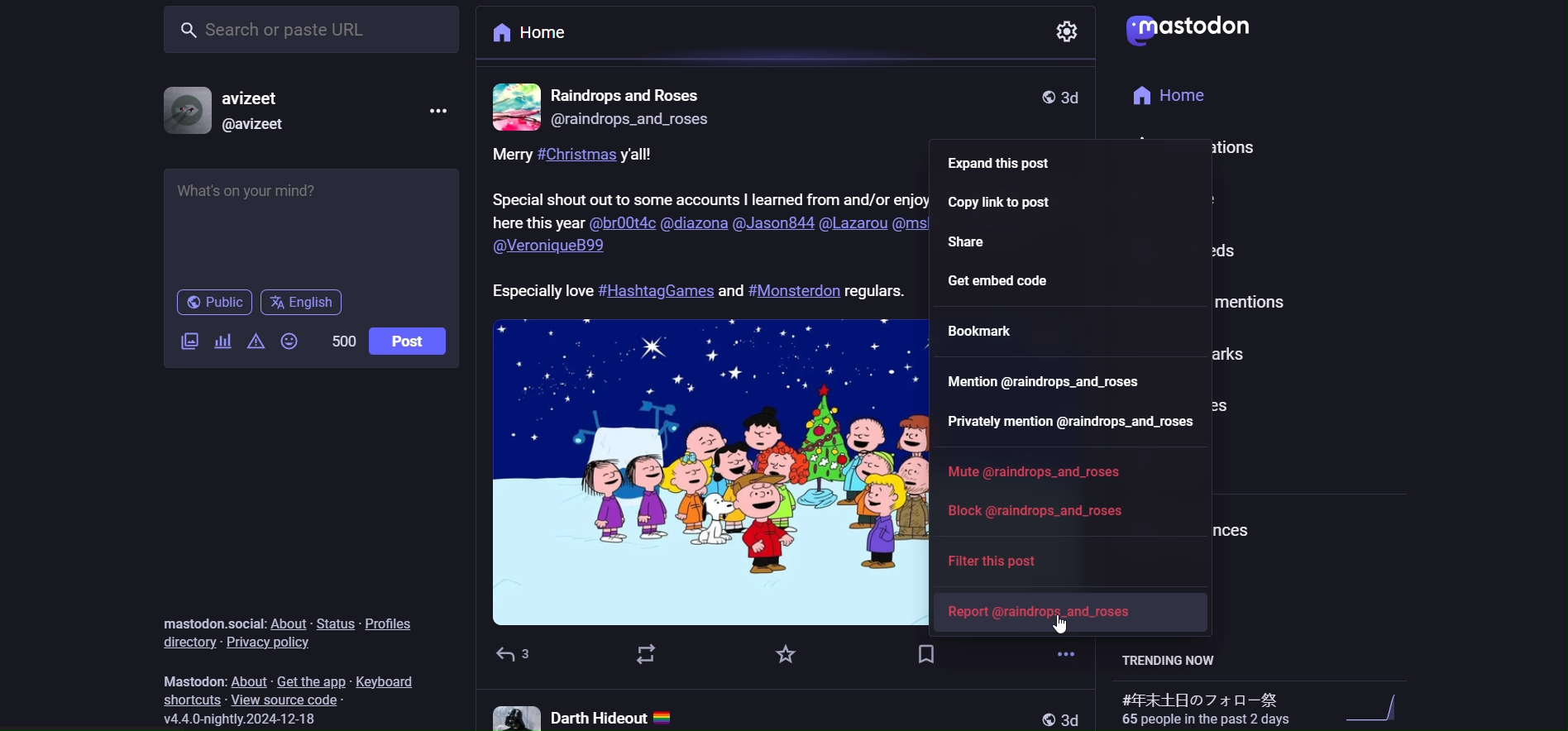  I want to click on mastodon, so click(192, 681).